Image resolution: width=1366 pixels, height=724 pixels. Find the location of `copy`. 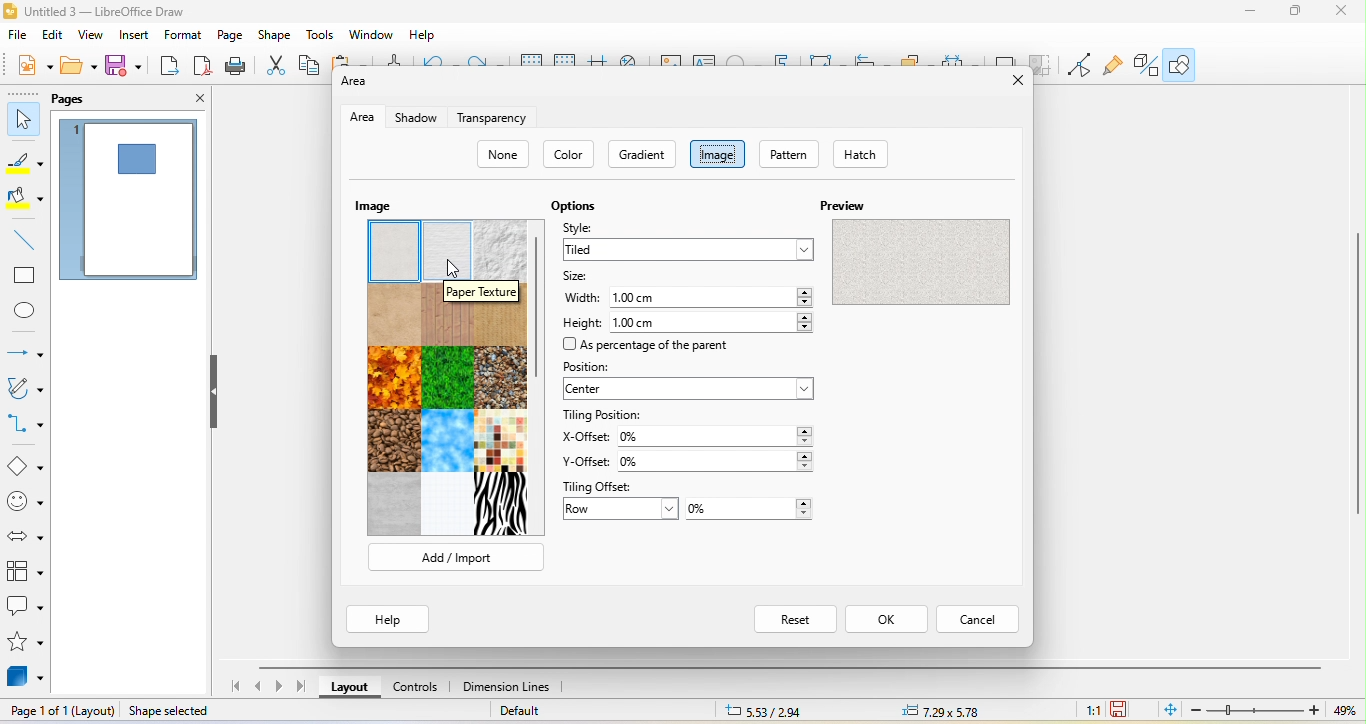

copy is located at coordinates (311, 69).